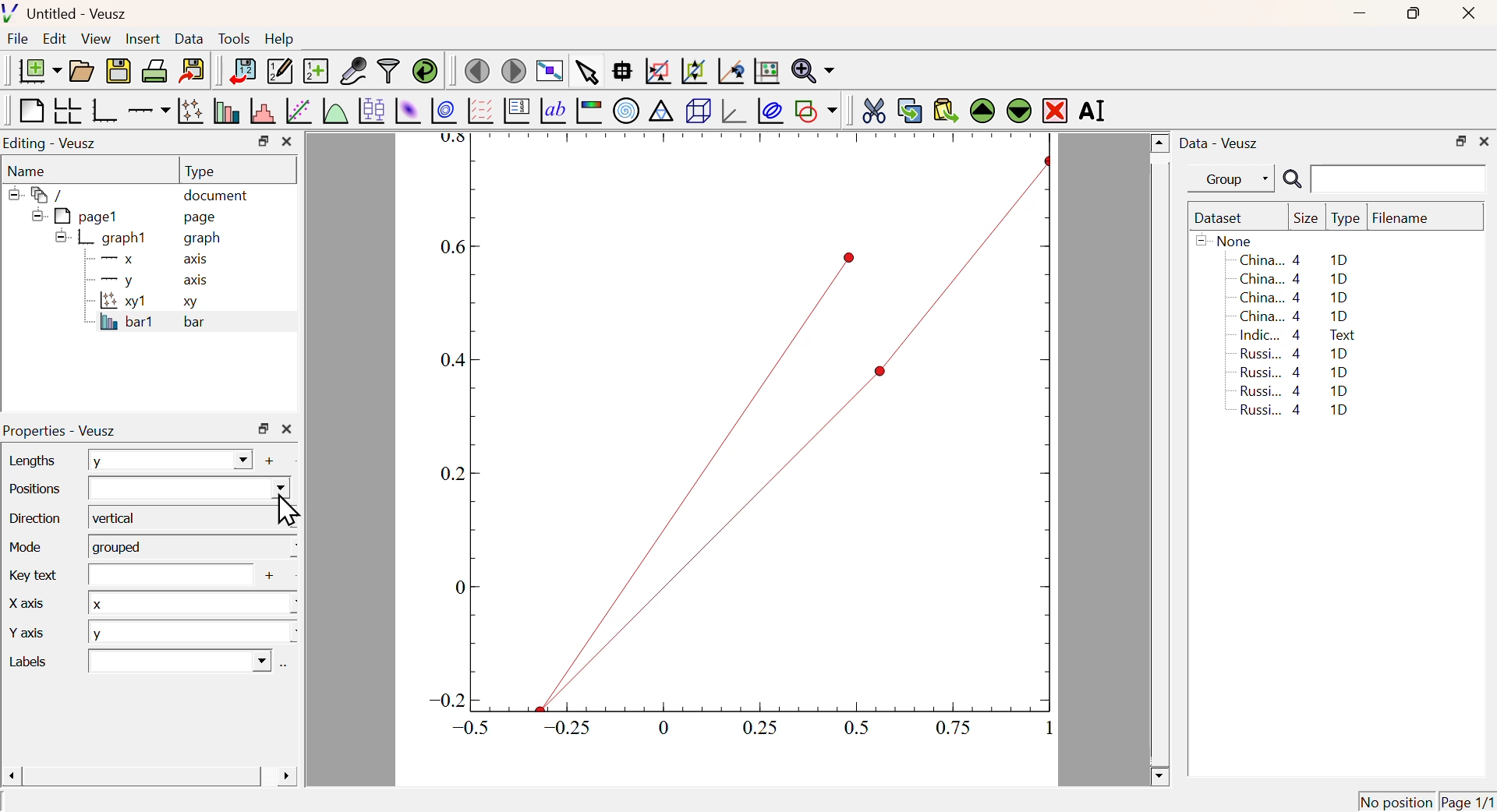  I want to click on graph, so click(204, 239).